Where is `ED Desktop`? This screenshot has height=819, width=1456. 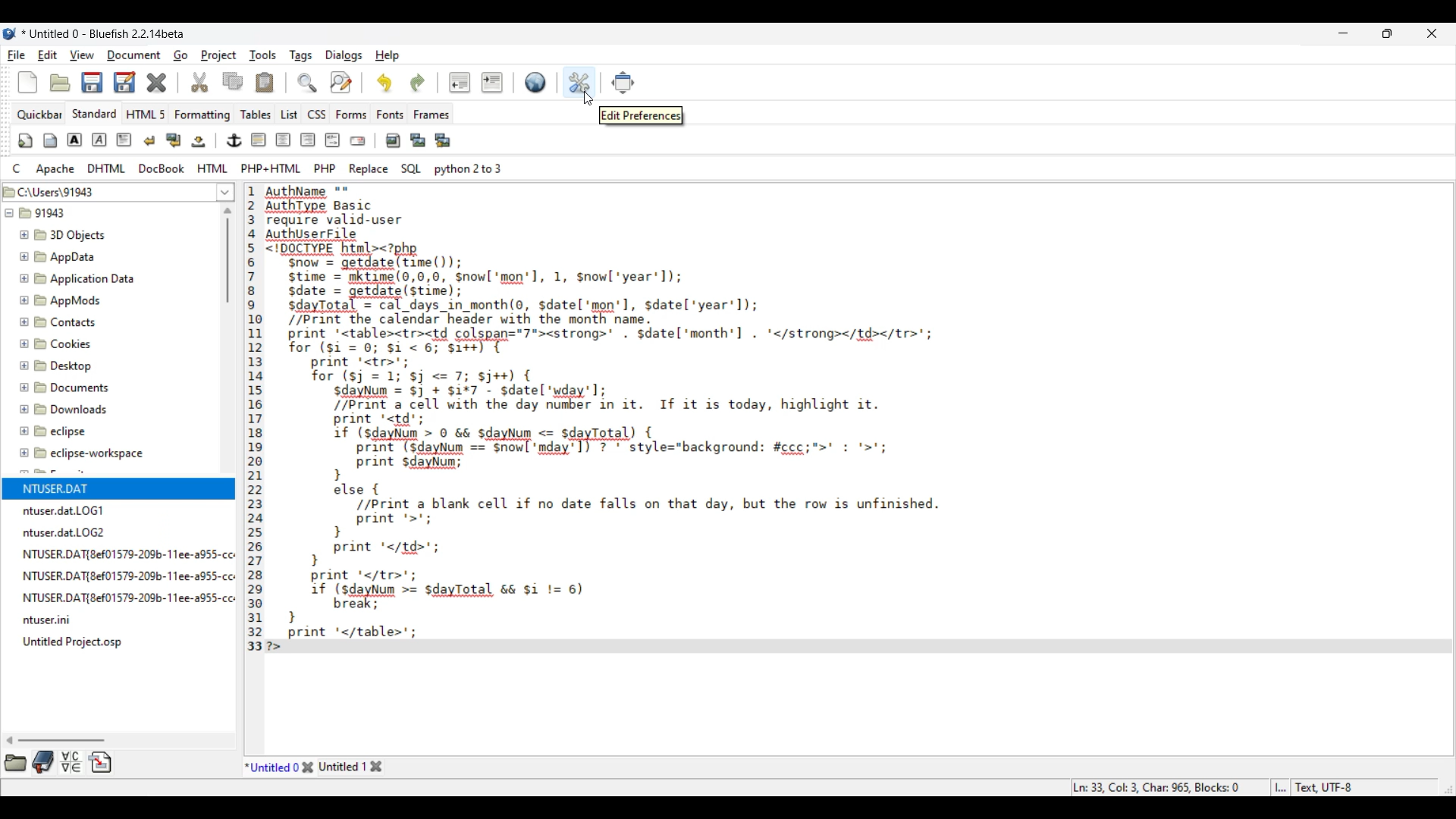 ED Desktop is located at coordinates (62, 369).